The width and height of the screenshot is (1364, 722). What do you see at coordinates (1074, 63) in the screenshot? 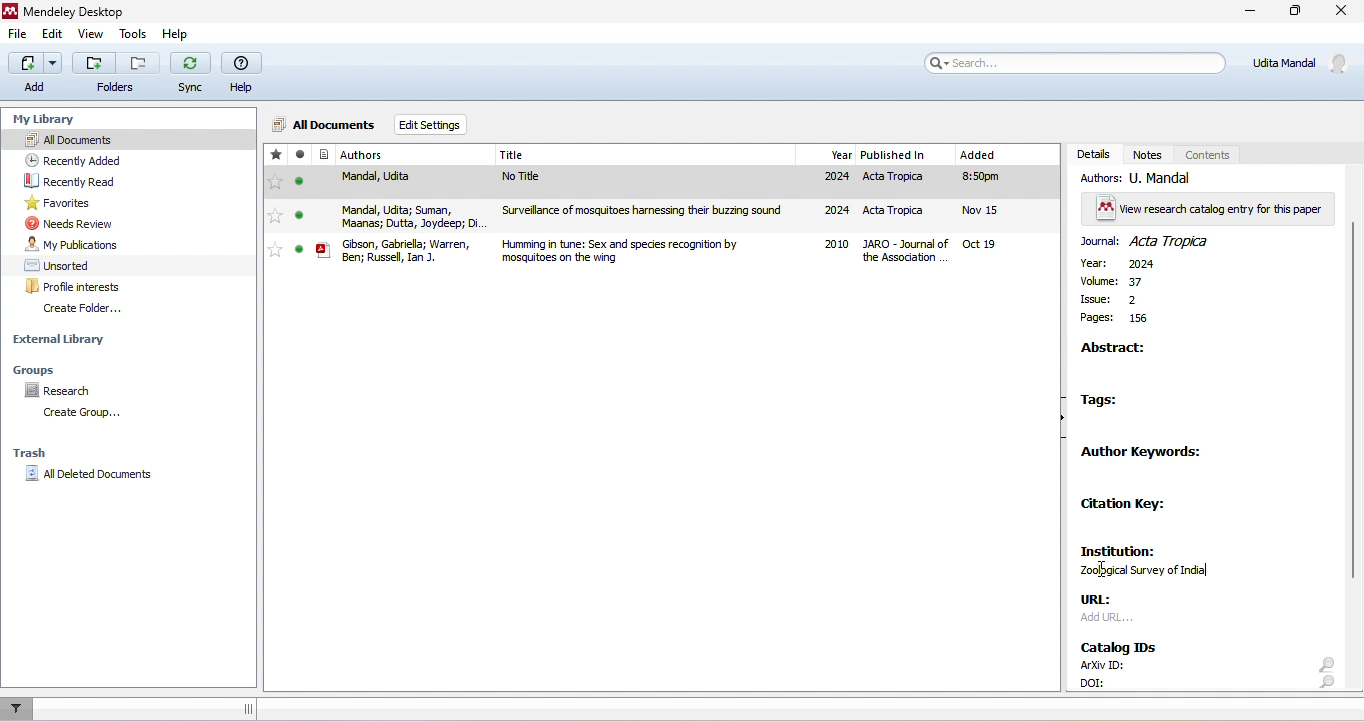
I see `search bar` at bounding box center [1074, 63].